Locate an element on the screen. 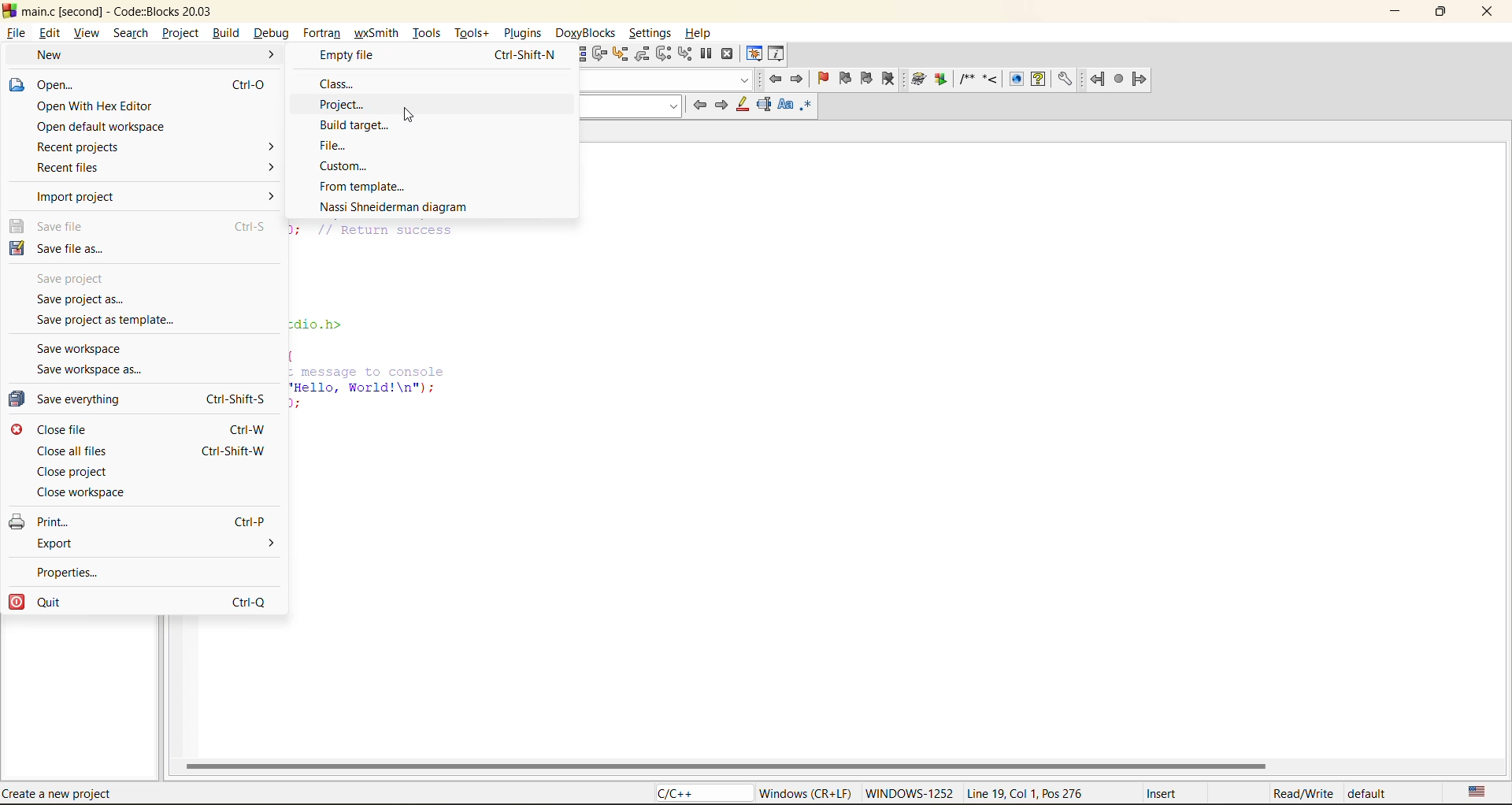 The height and width of the screenshot is (805, 1512). file is located at coordinates (15, 33).